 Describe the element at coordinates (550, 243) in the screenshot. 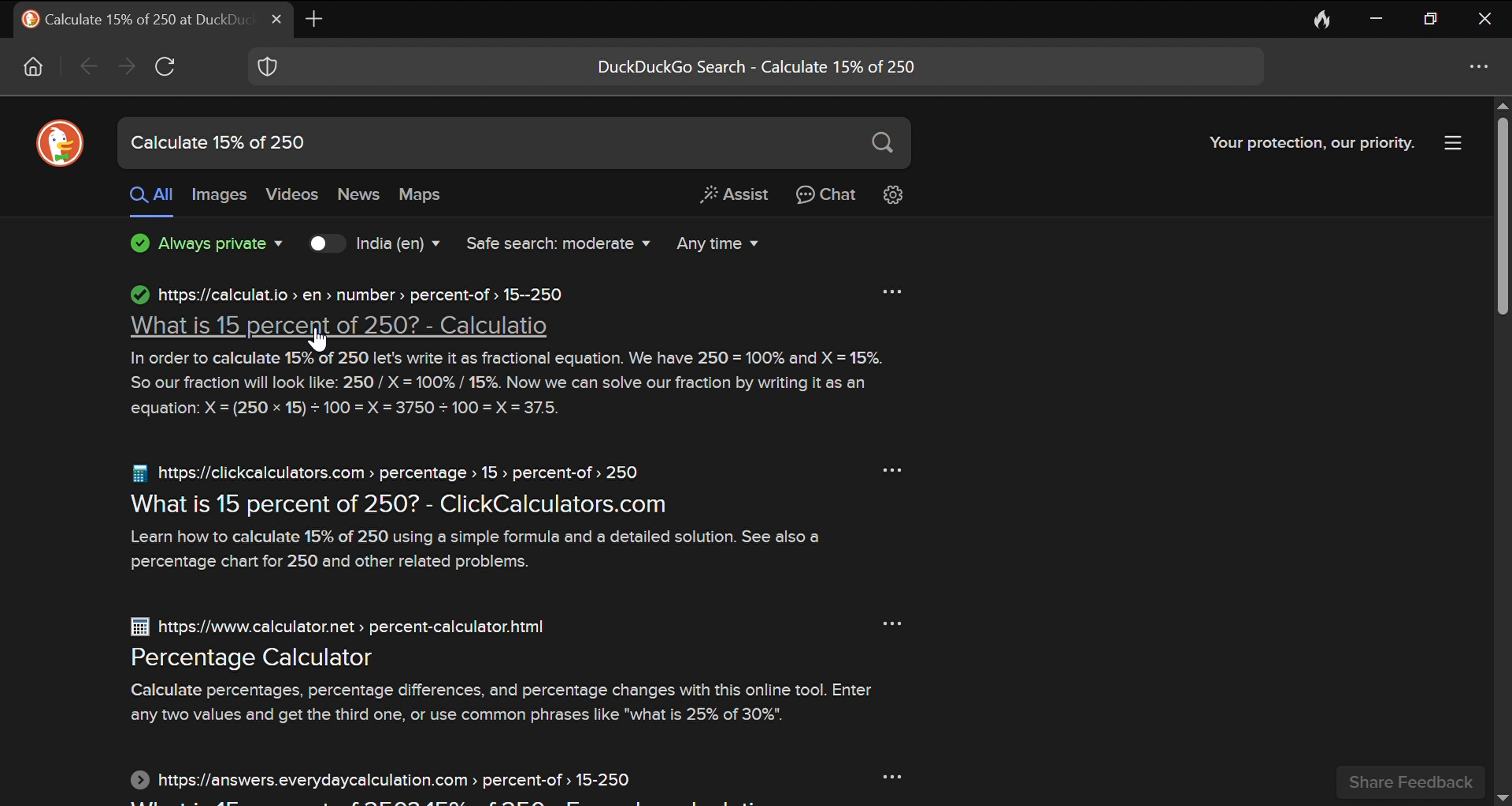

I see `Safe search moderate` at that location.